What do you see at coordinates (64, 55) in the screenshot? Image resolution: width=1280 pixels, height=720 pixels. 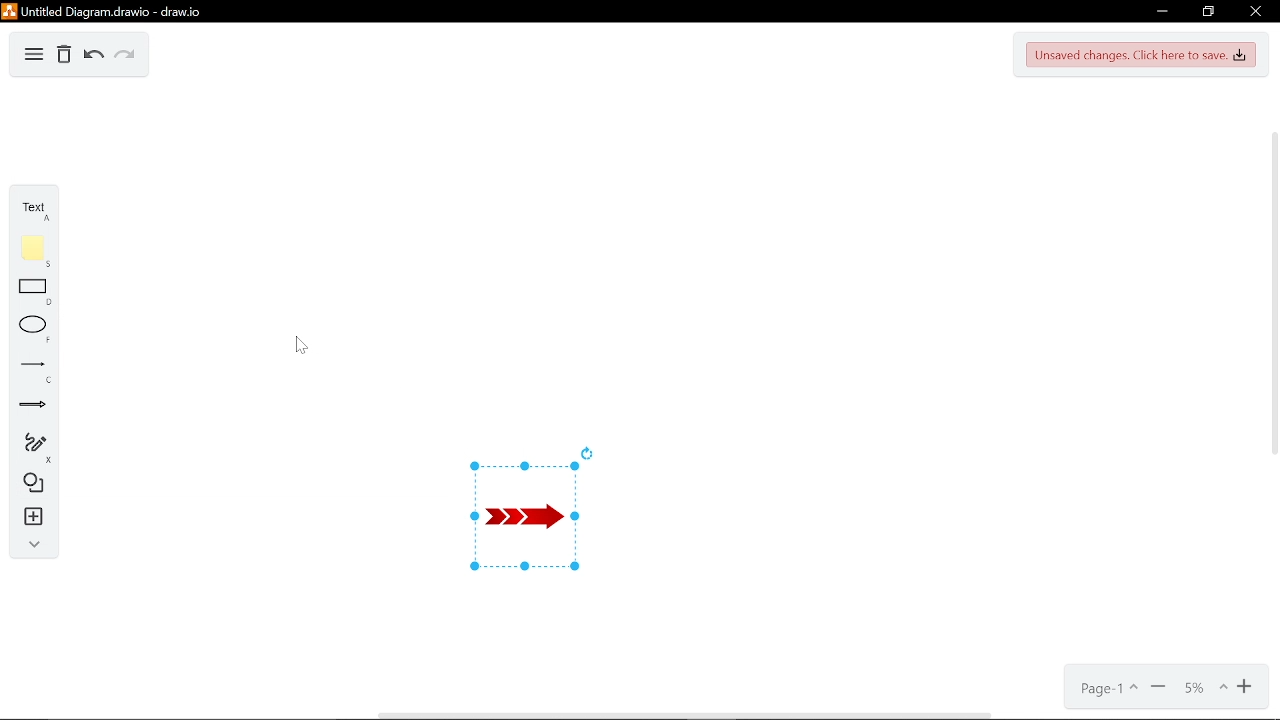 I see `Delete` at bounding box center [64, 55].